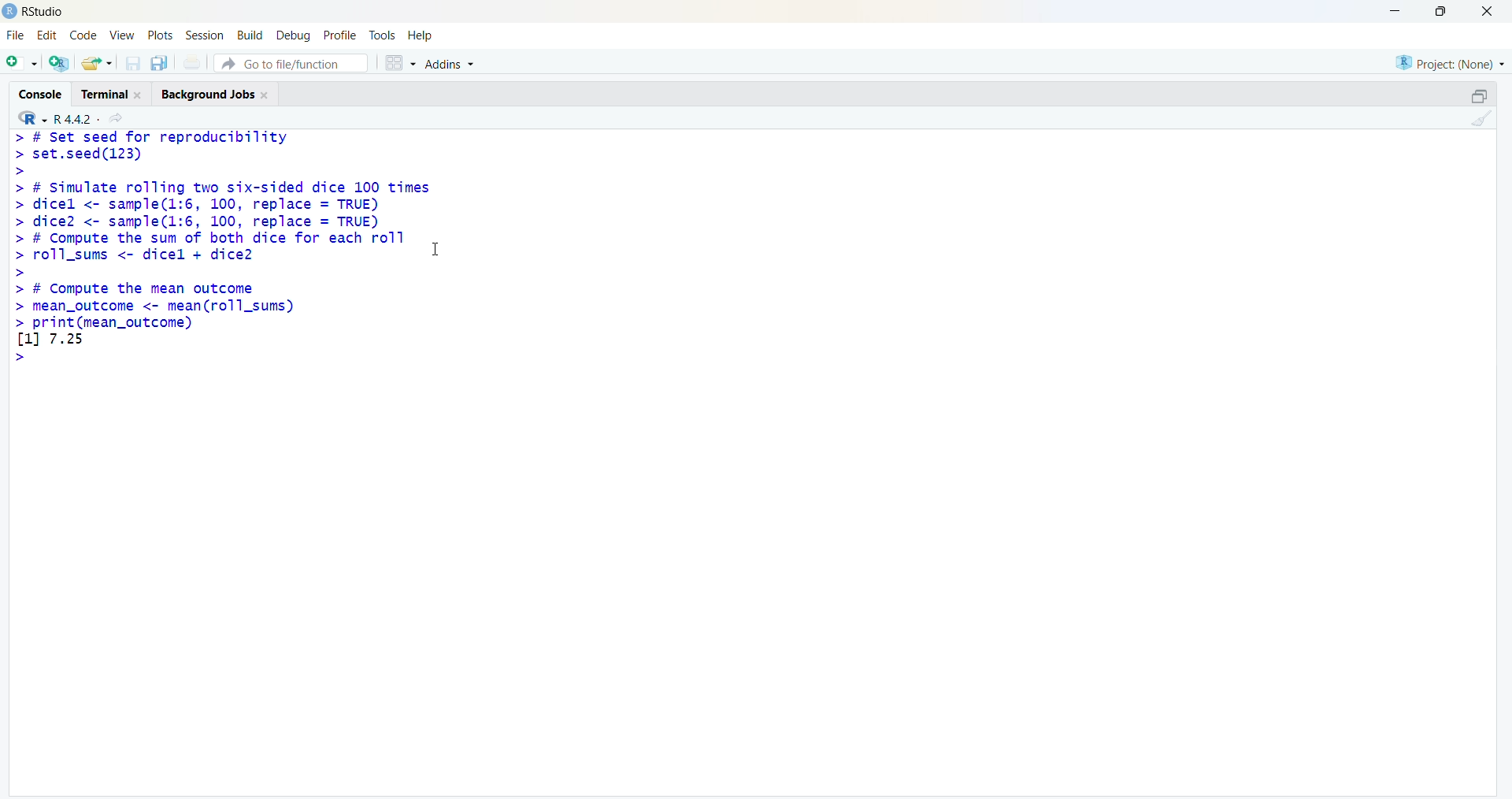  I want to click on copy, so click(159, 62).